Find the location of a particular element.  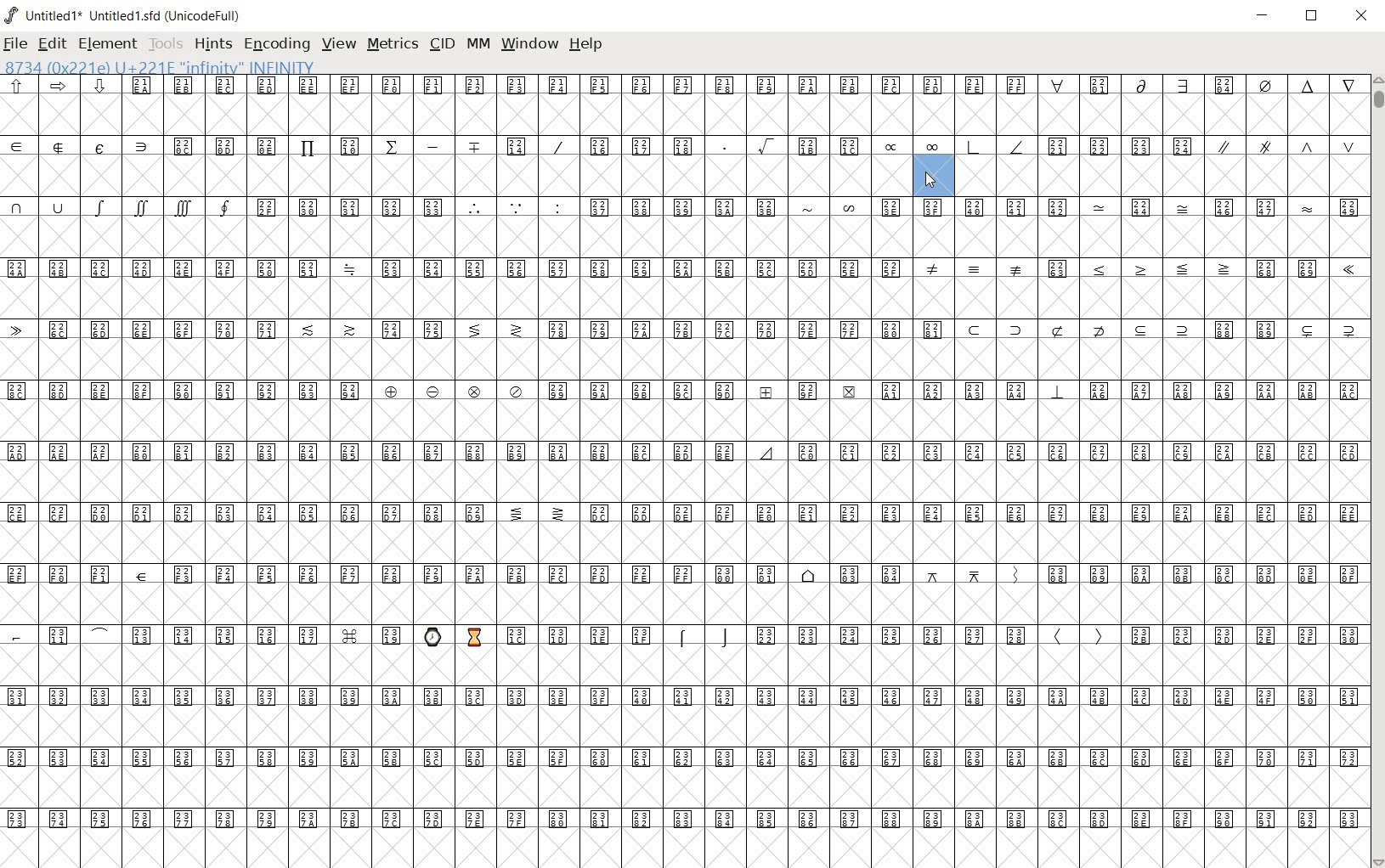

symbol is located at coordinates (1309, 206).